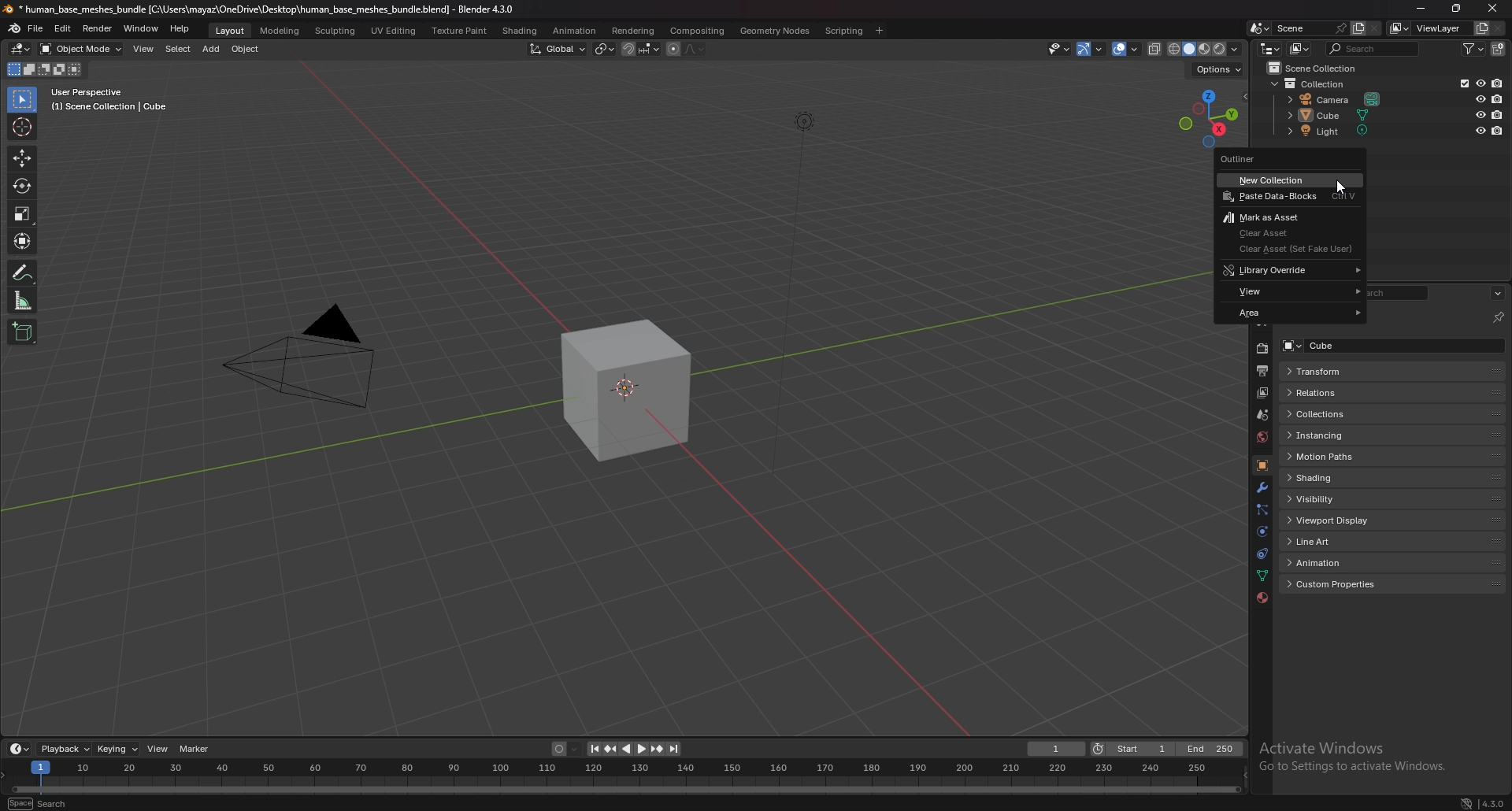 Image resolution: width=1512 pixels, height=811 pixels. Describe the element at coordinates (1261, 554) in the screenshot. I see `constraints` at that location.